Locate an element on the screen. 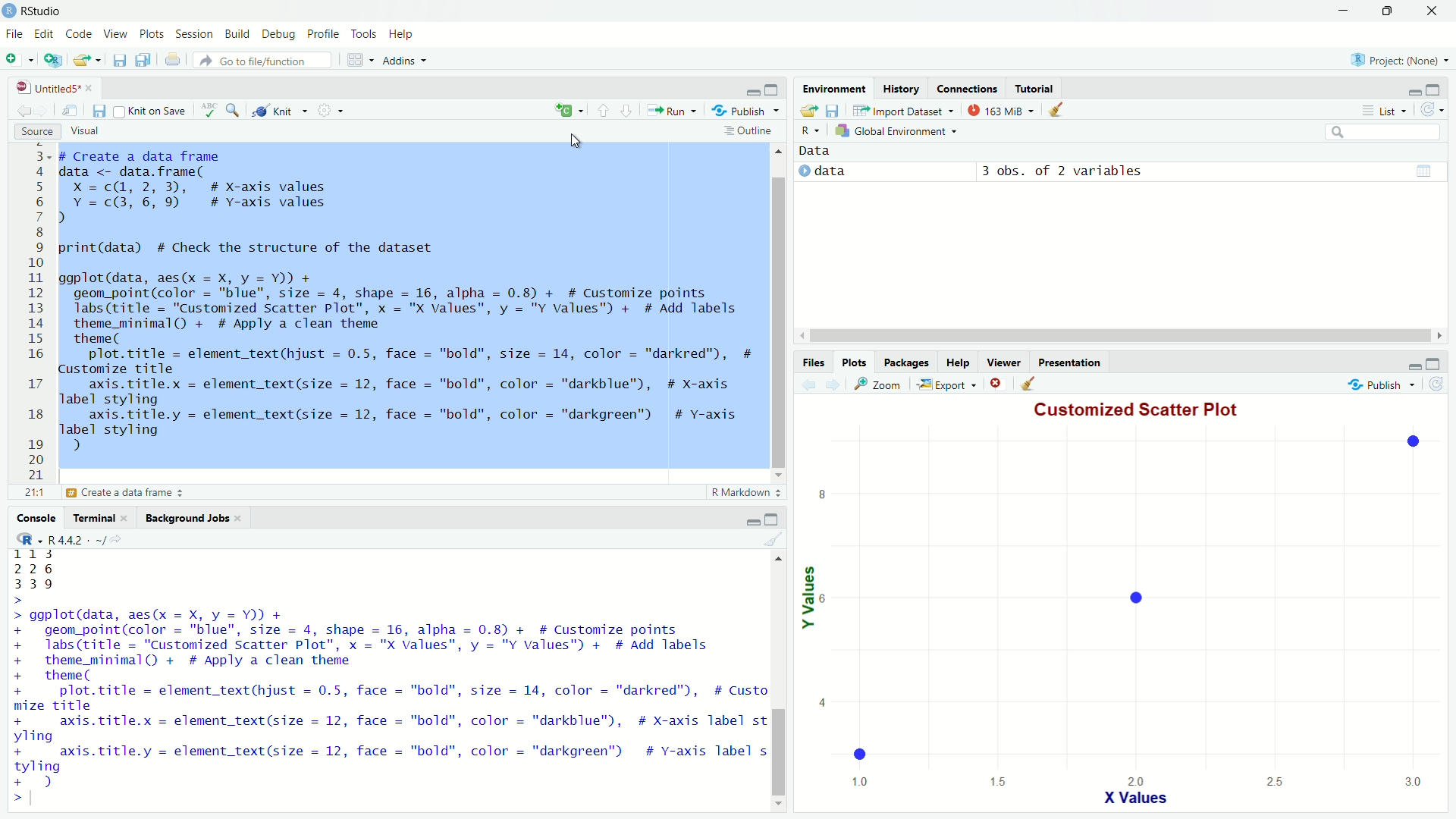 This screenshot has height=819, width=1456. Project (None) is located at coordinates (1398, 61).